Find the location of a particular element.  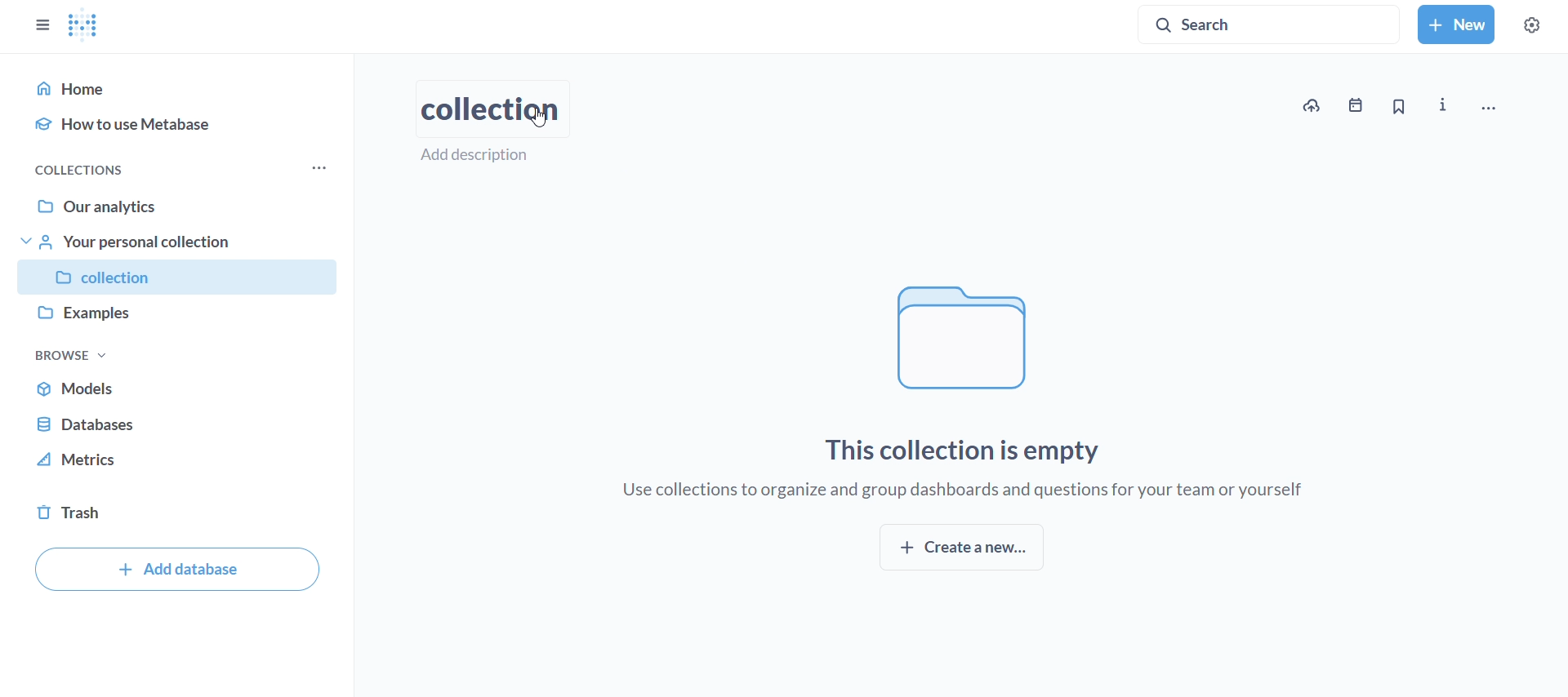

create new collection is located at coordinates (961, 548).